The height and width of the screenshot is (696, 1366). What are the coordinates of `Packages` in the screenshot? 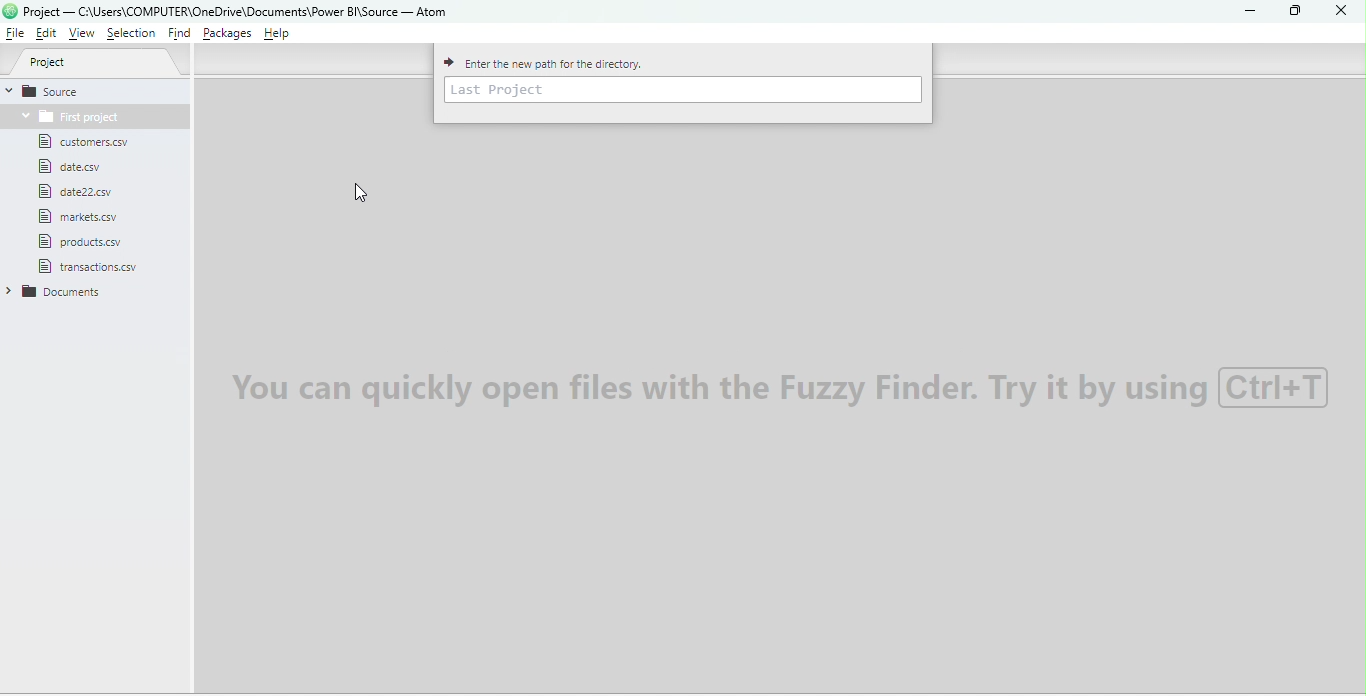 It's located at (225, 35).